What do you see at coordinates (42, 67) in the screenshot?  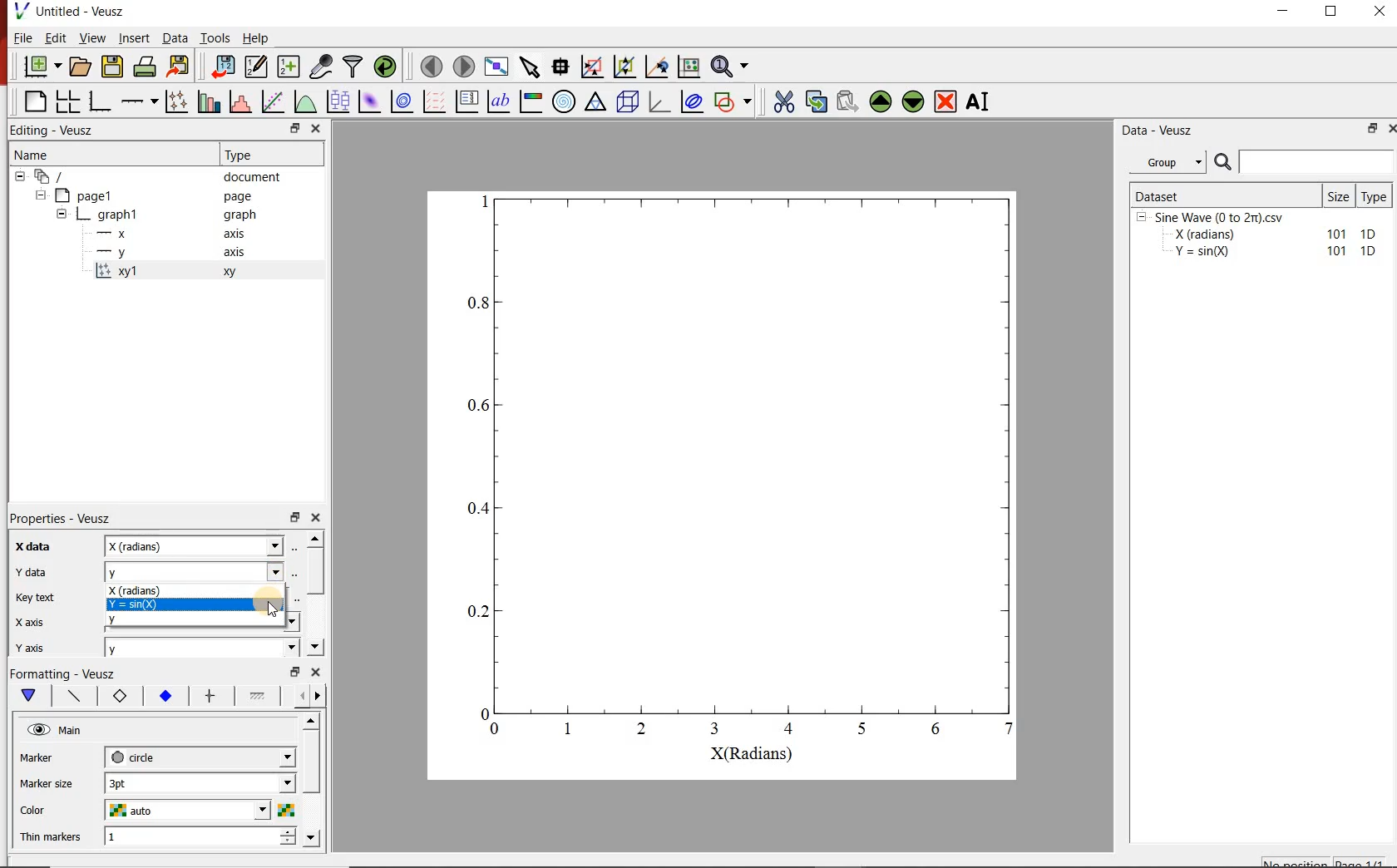 I see `new document` at bounding box center [42, 67].